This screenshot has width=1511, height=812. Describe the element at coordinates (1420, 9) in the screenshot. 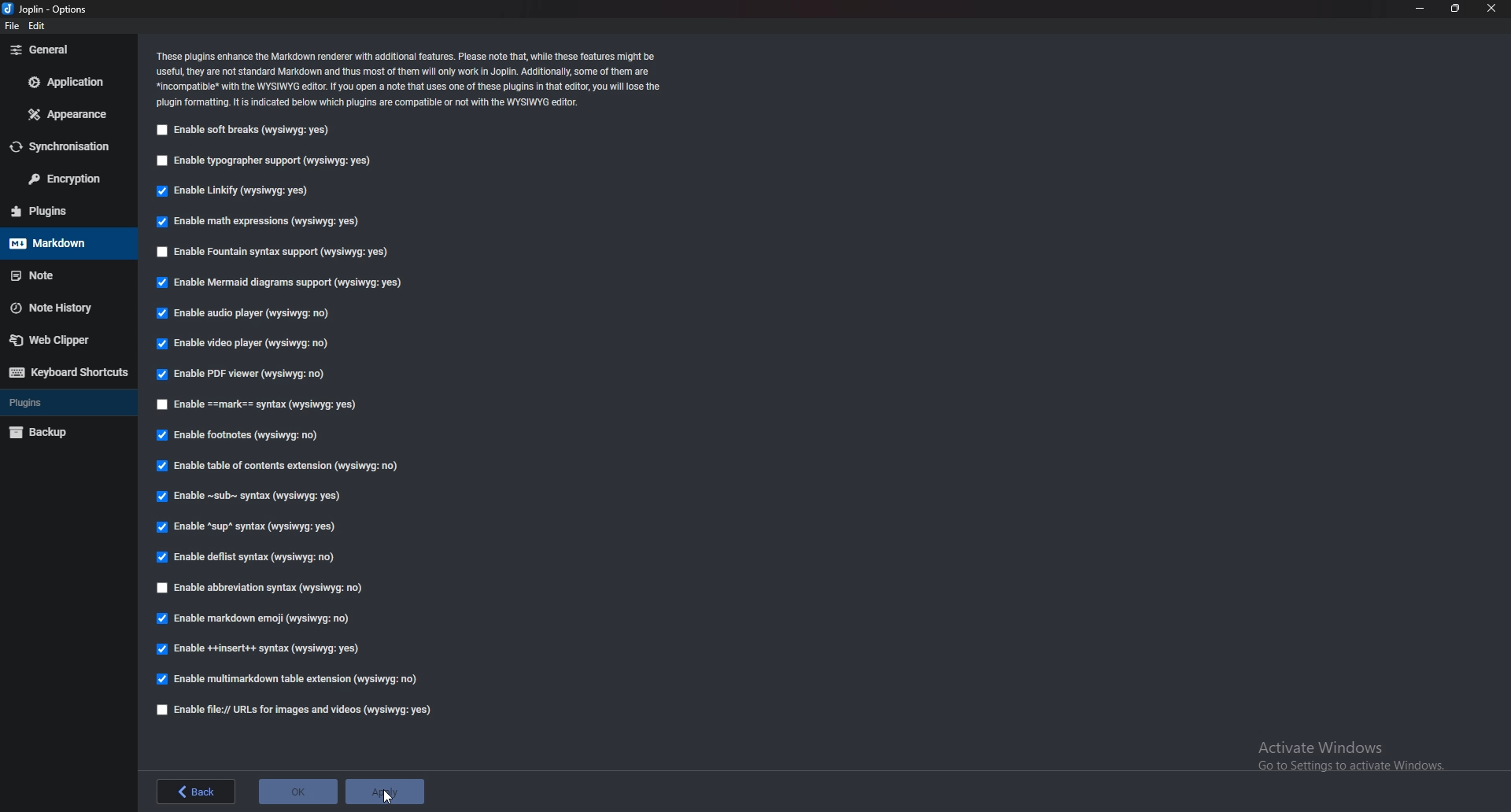

I see `Minimize` at that location.